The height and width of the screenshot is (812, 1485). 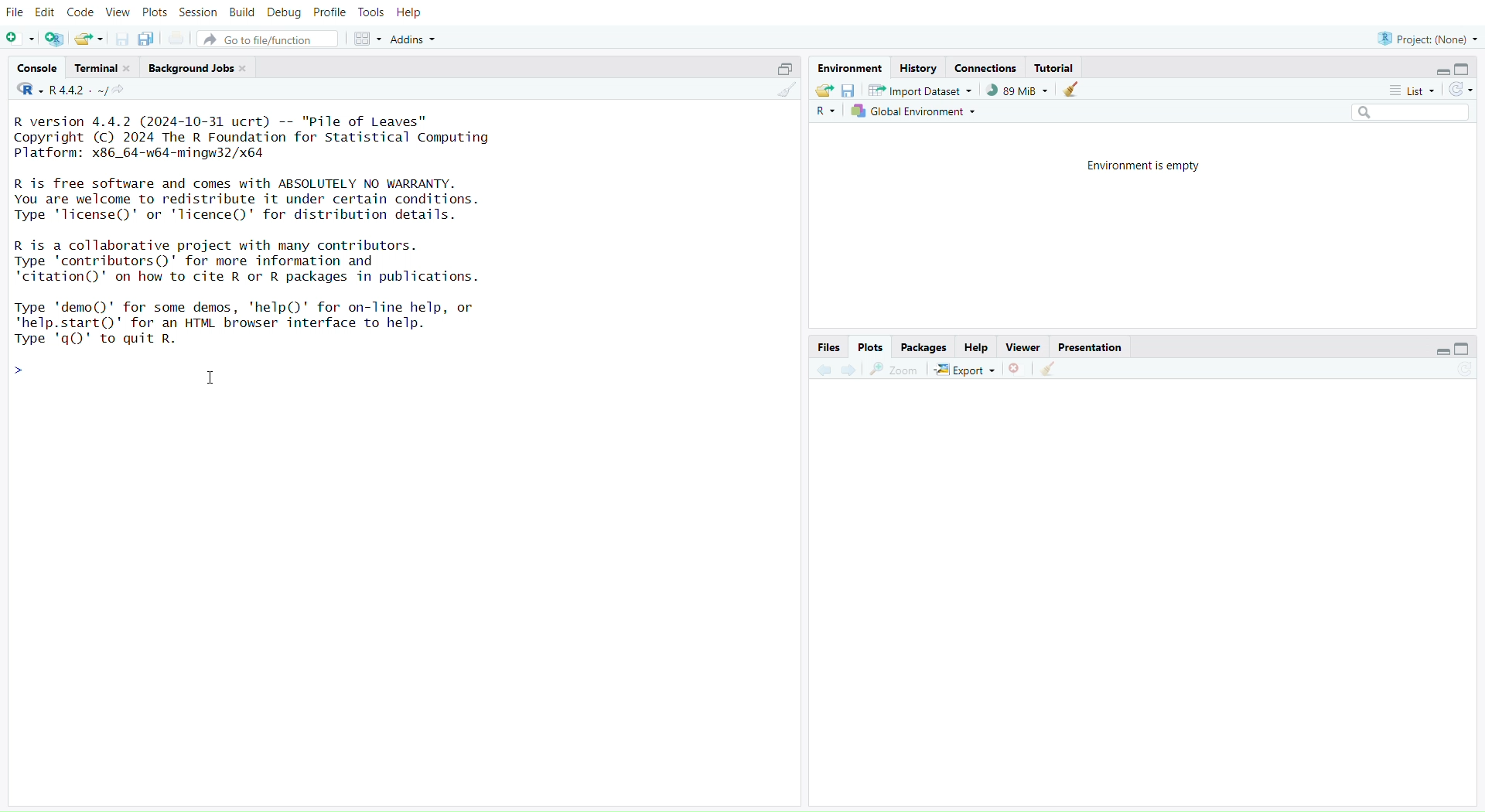 What do you see at coordinates (920, 67) in the screenshot?
I see `History` at bounding box center [920, 67].